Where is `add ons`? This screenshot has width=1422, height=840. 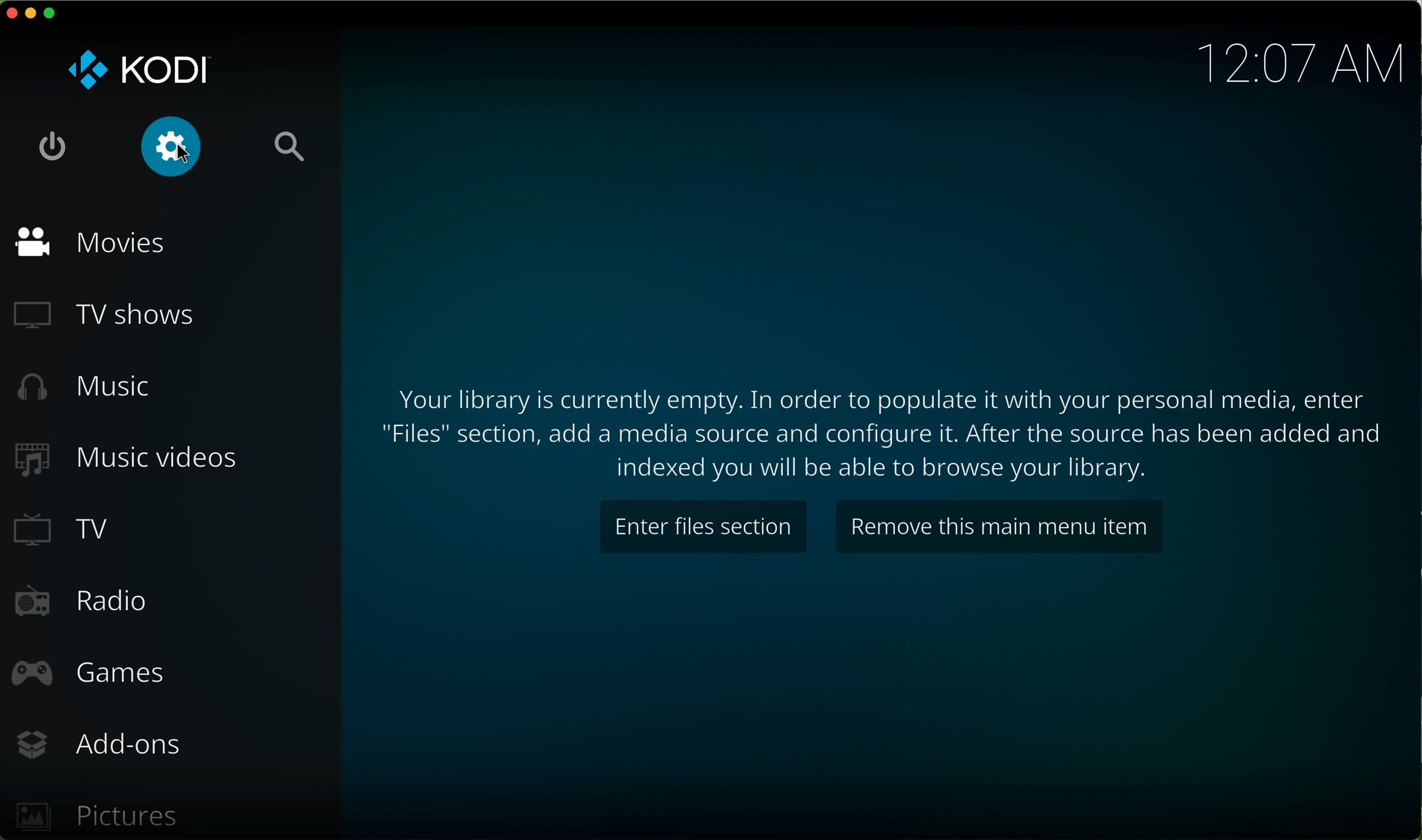 add ons is located at coordinates (100, 746).